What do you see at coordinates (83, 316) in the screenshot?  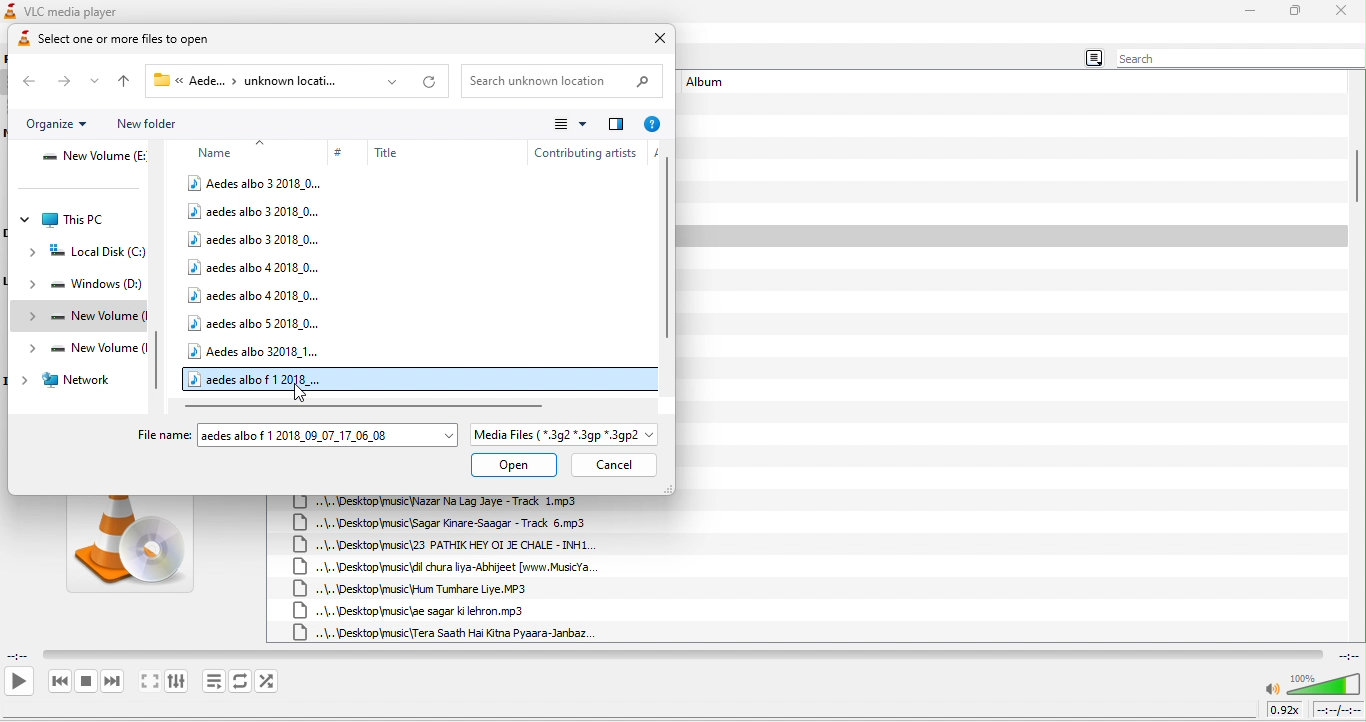 I see `new volume (` at bounding box center [83, 316].